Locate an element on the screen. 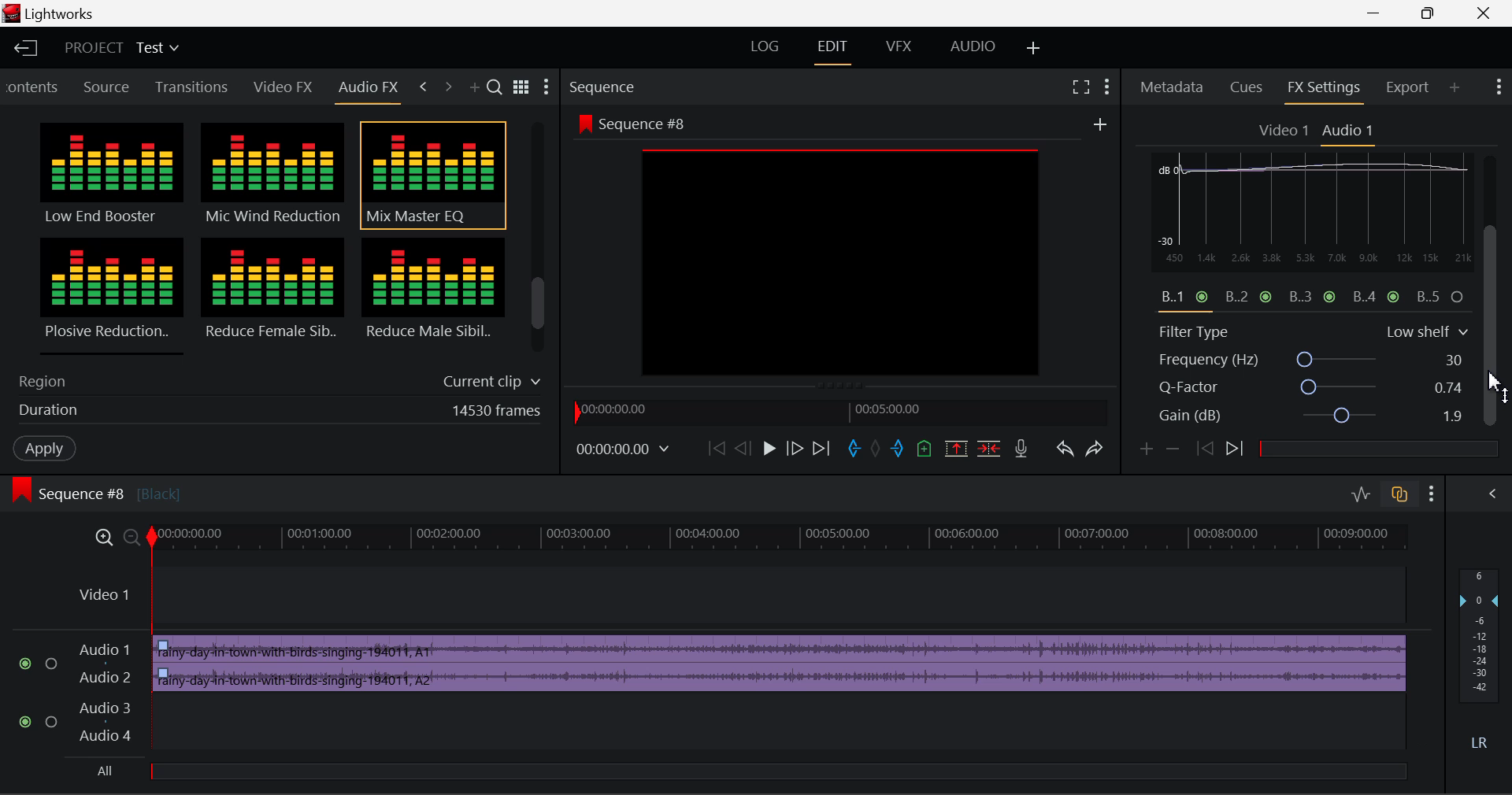 The width and height of the screenshot is (1512, 795). Add keyframe is located at coordinates (1143, 452).